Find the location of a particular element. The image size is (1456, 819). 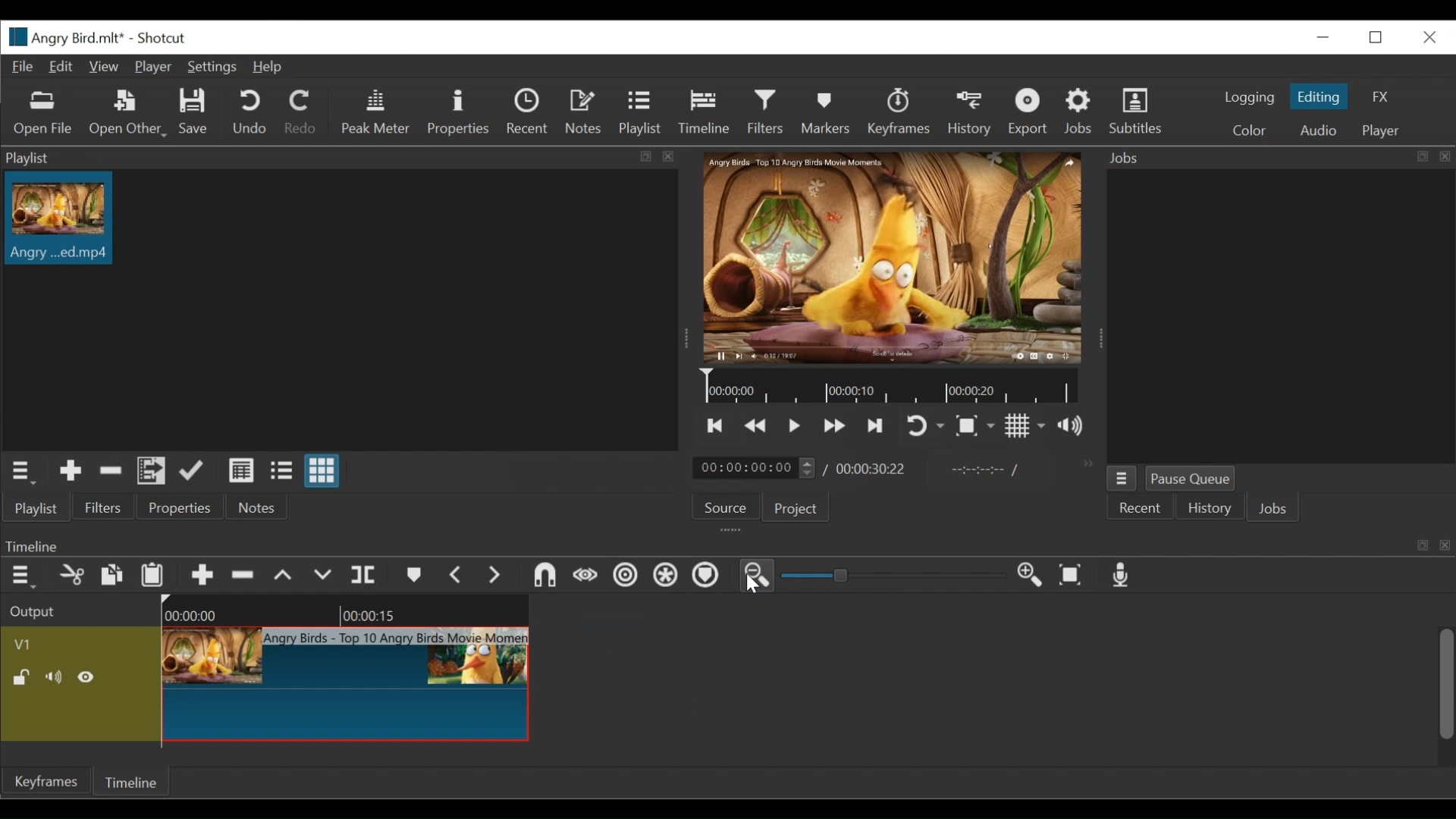

Player is located at coordinates (1382, 132).